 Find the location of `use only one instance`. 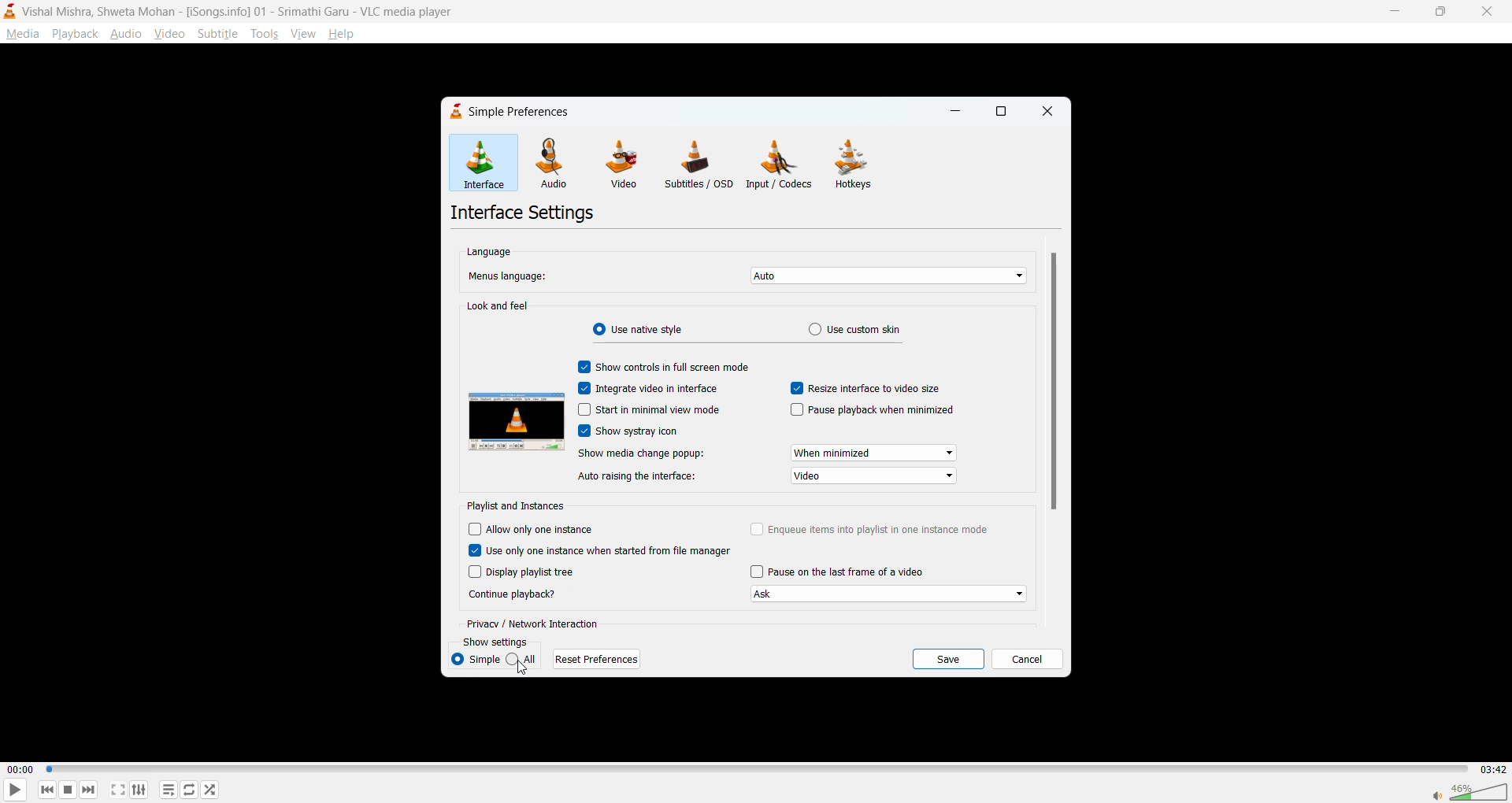

use only one instance is located at coordinates (603, 552).